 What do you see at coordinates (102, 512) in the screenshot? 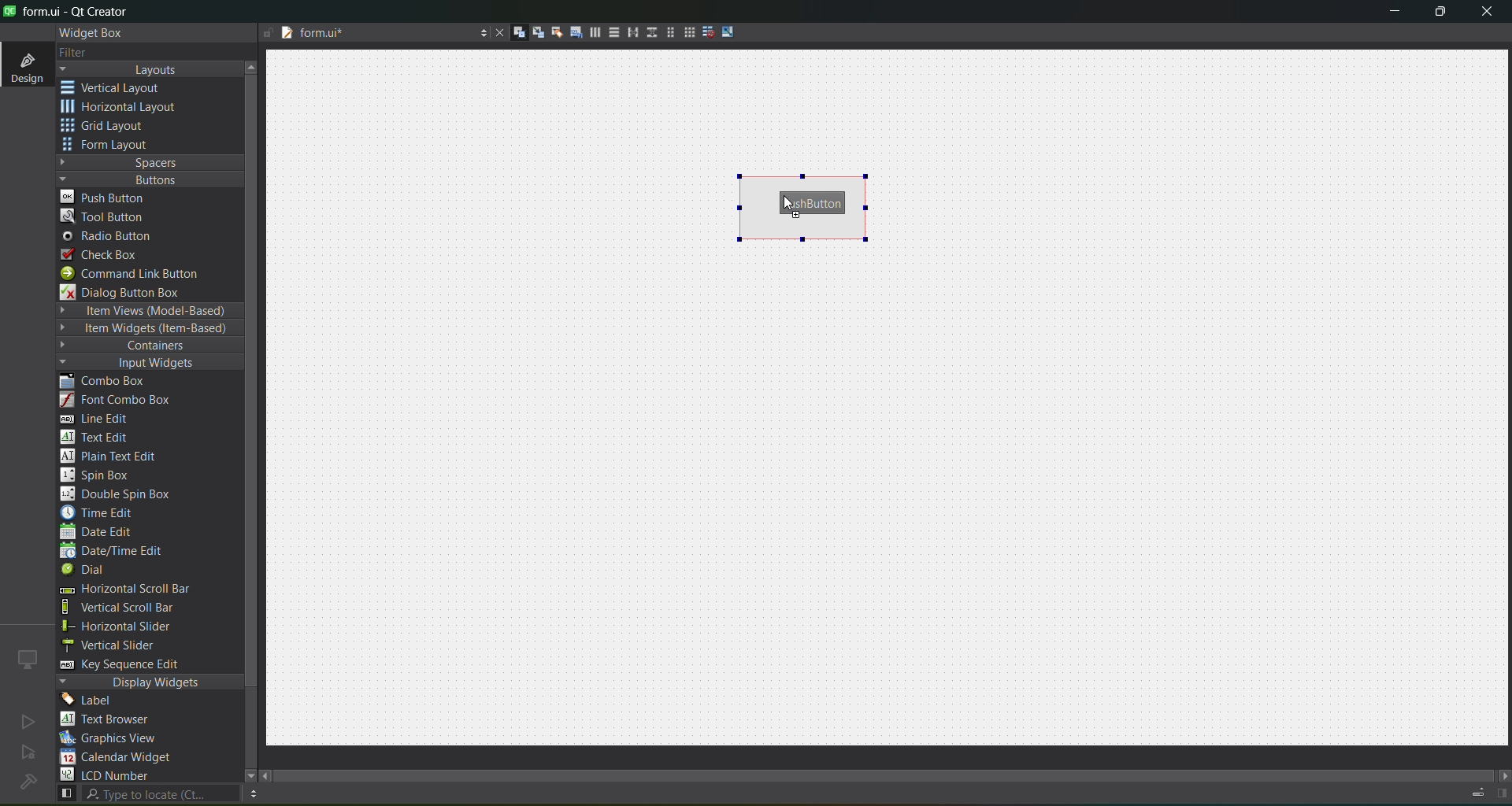
I see `time edit` at bounding box center [102, 512].